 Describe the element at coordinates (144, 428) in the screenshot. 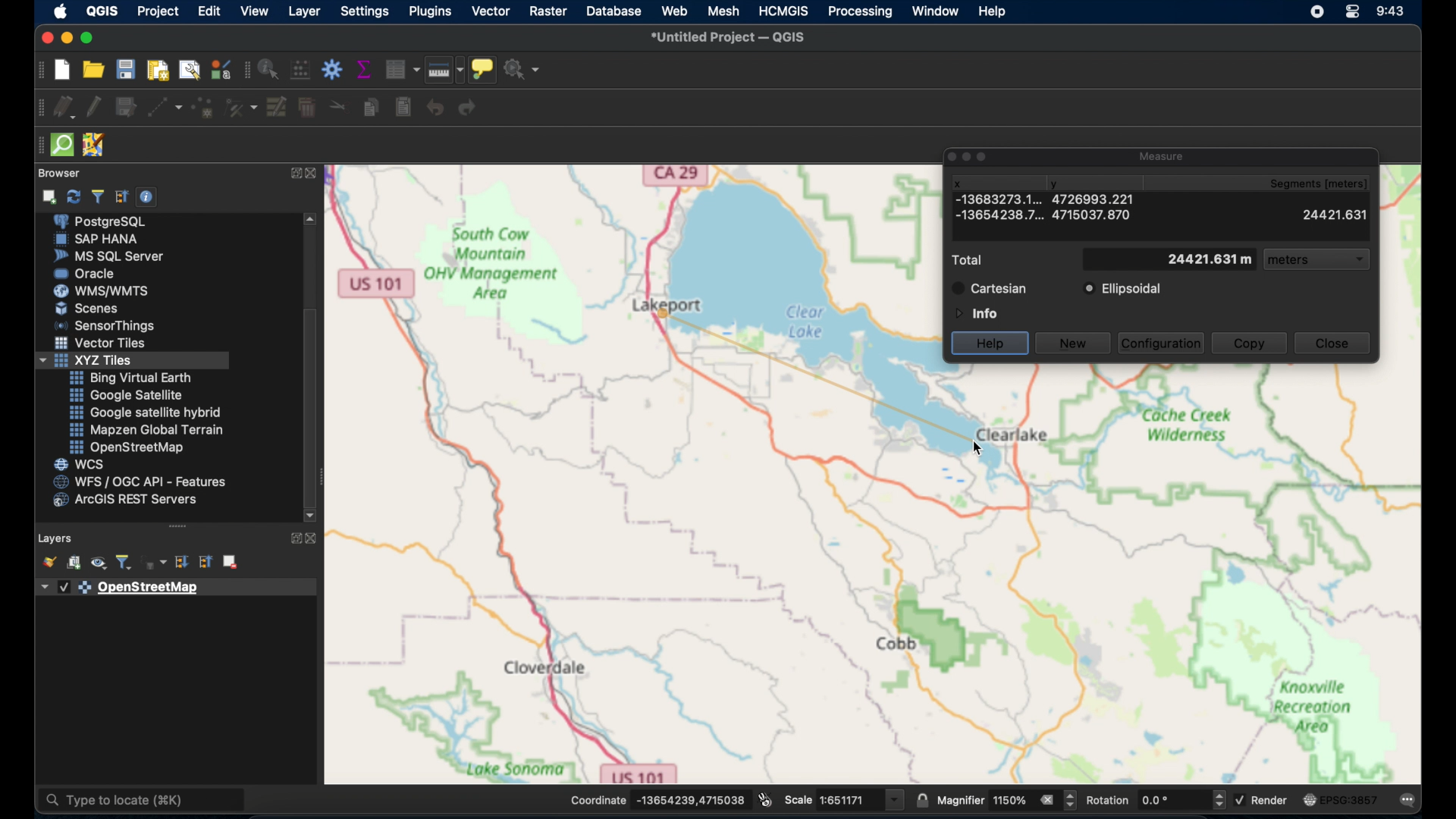

I see `mapzen global. terrain` at that location.